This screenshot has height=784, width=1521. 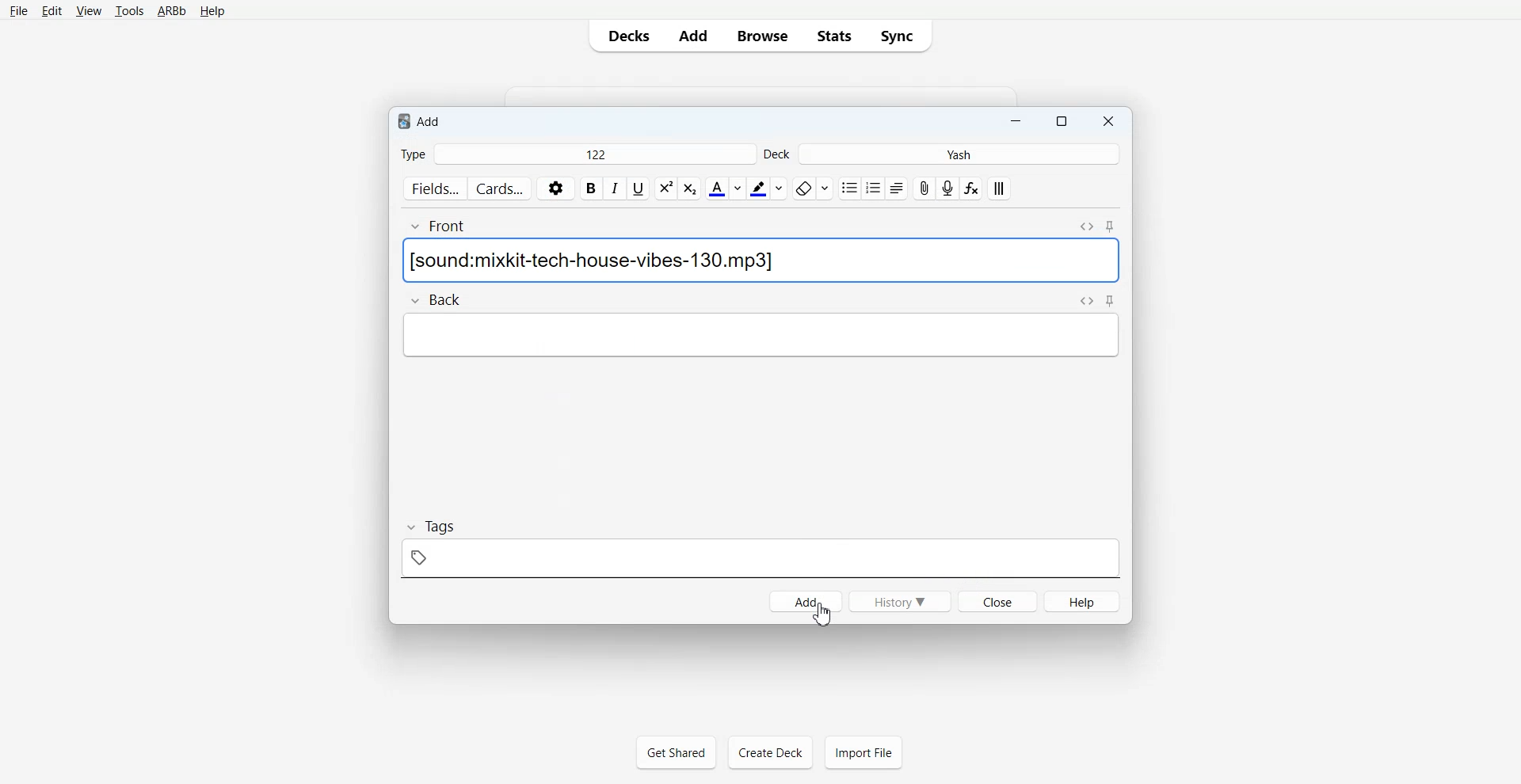 I want to click on pen color, so click(x=767, y=190).